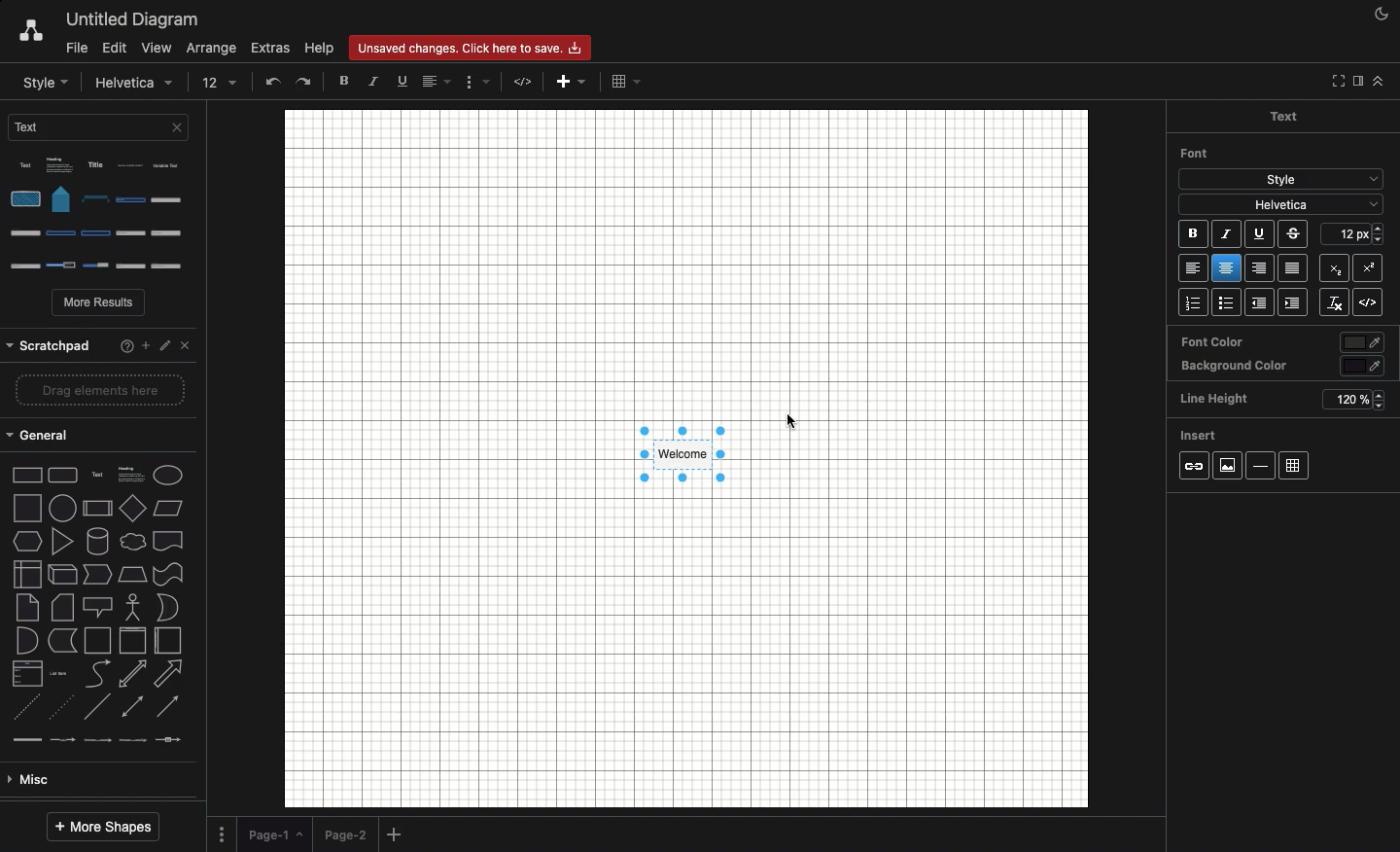 The width and height of the screenshot is (1400, 852). Describe the element at coordinates (97, 340) in the screenshot. I see `` at that location.